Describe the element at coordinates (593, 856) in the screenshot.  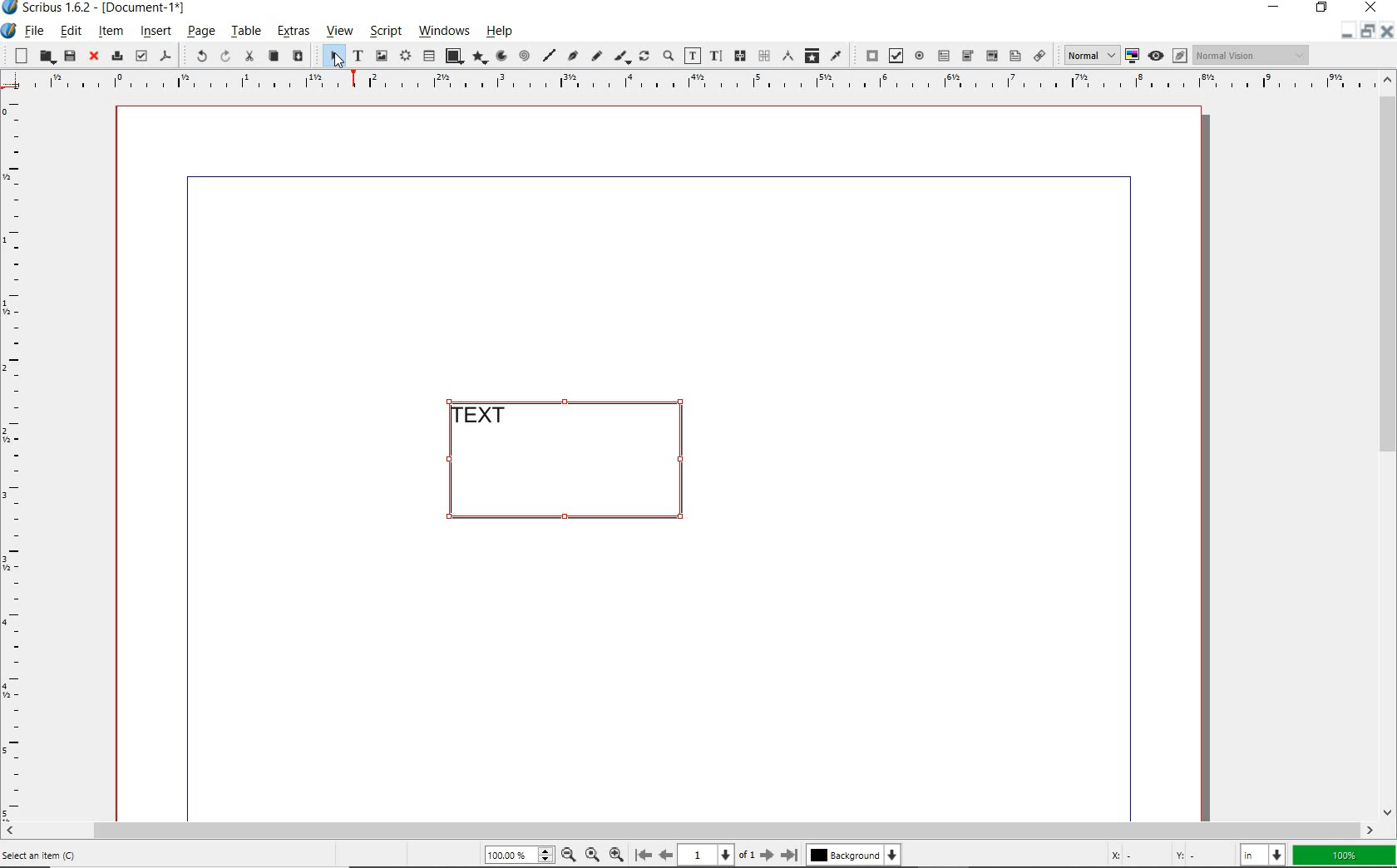
I see `Zoom to 100%` at that location.